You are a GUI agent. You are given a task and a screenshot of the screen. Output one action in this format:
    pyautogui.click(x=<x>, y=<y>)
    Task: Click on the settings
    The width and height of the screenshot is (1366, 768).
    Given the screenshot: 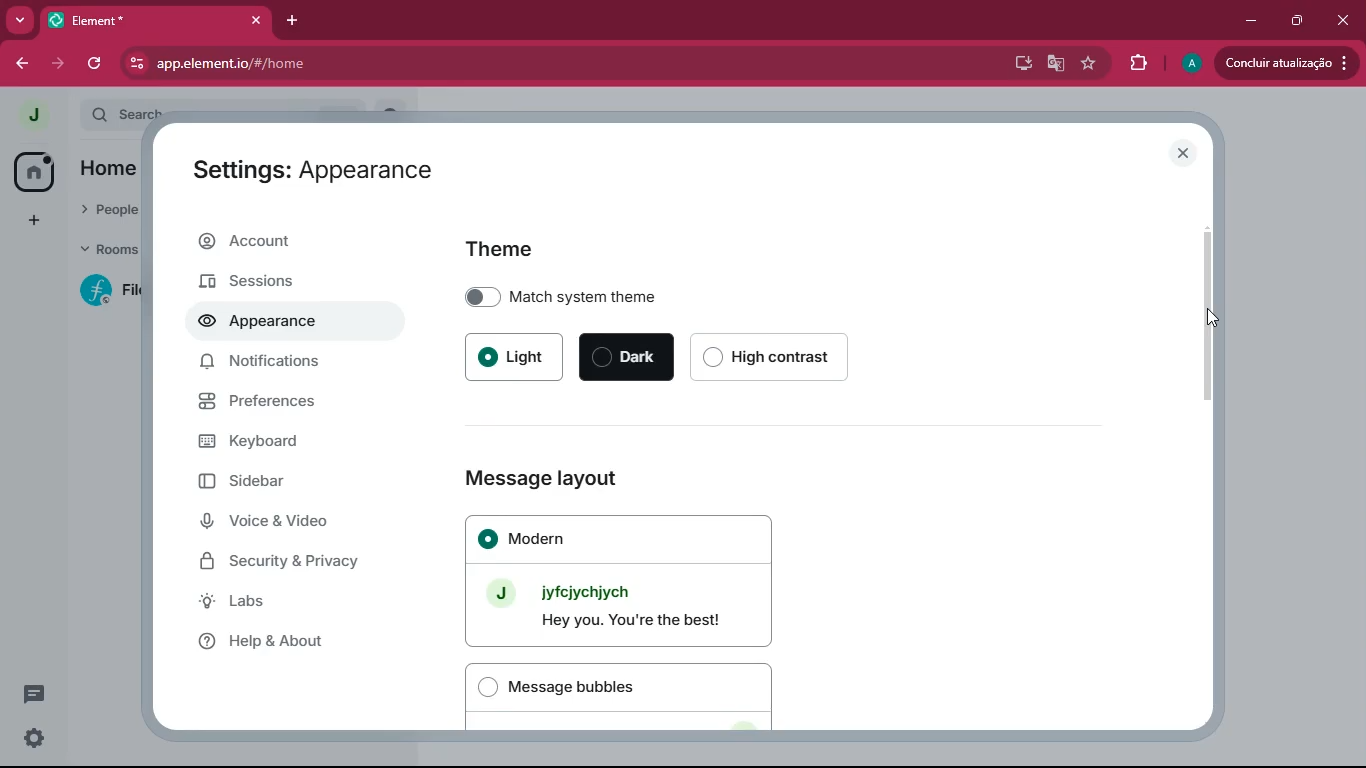 What is the action you would take?
    pyautogui.click(x=30, y=739)
    